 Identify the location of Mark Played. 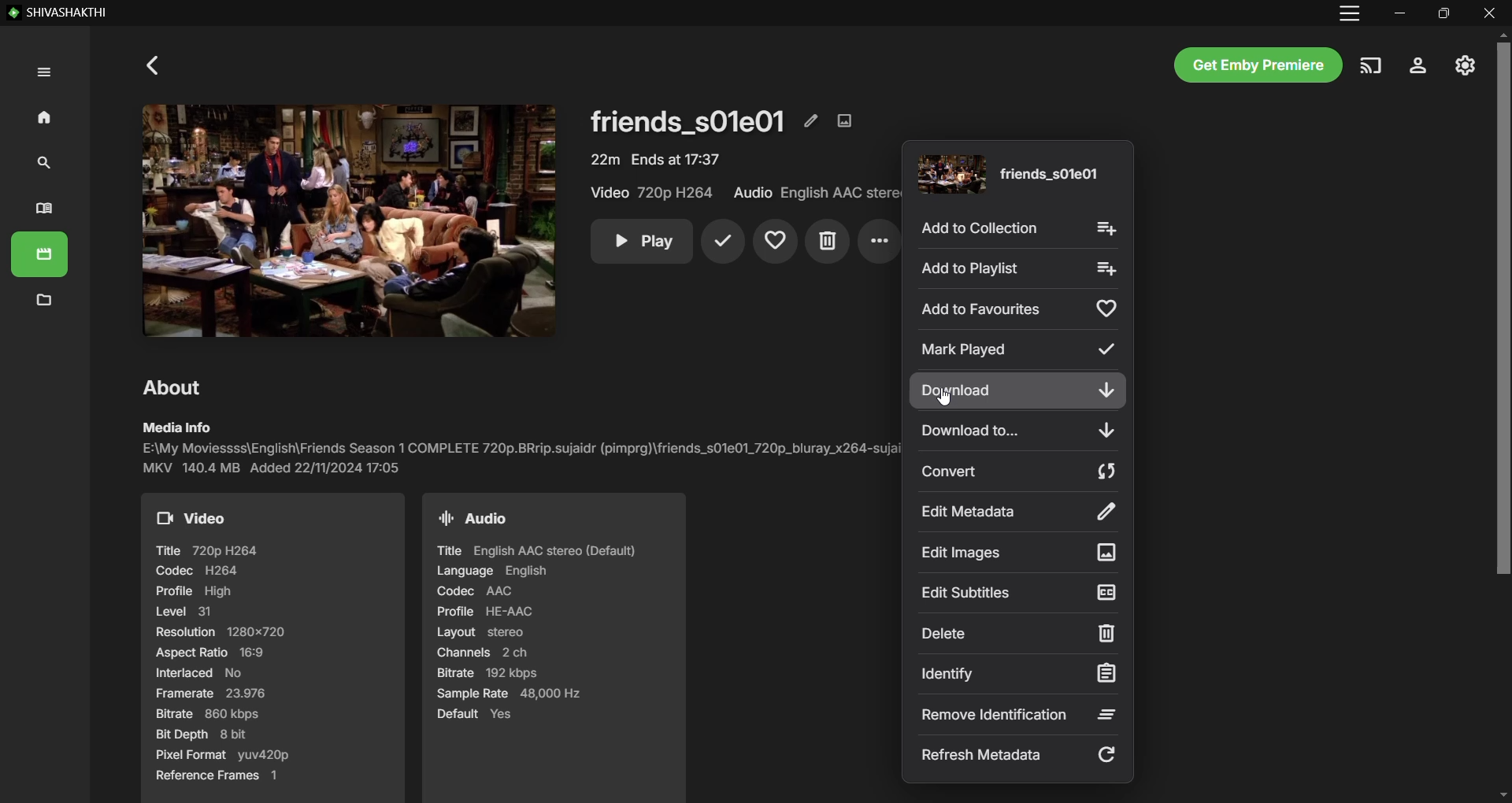
(1021, 350).